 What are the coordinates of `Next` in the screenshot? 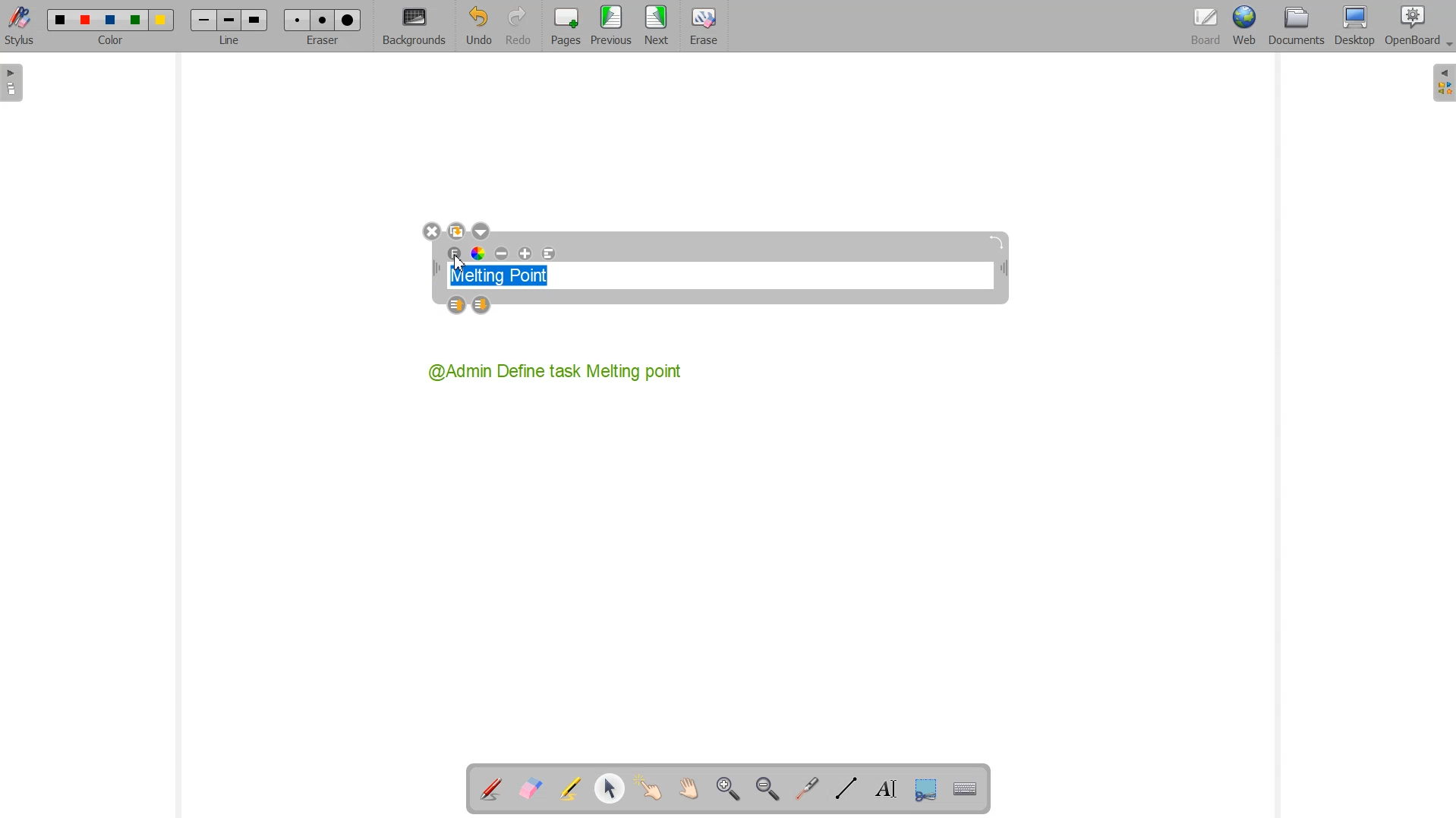 It's located at (657, 27).